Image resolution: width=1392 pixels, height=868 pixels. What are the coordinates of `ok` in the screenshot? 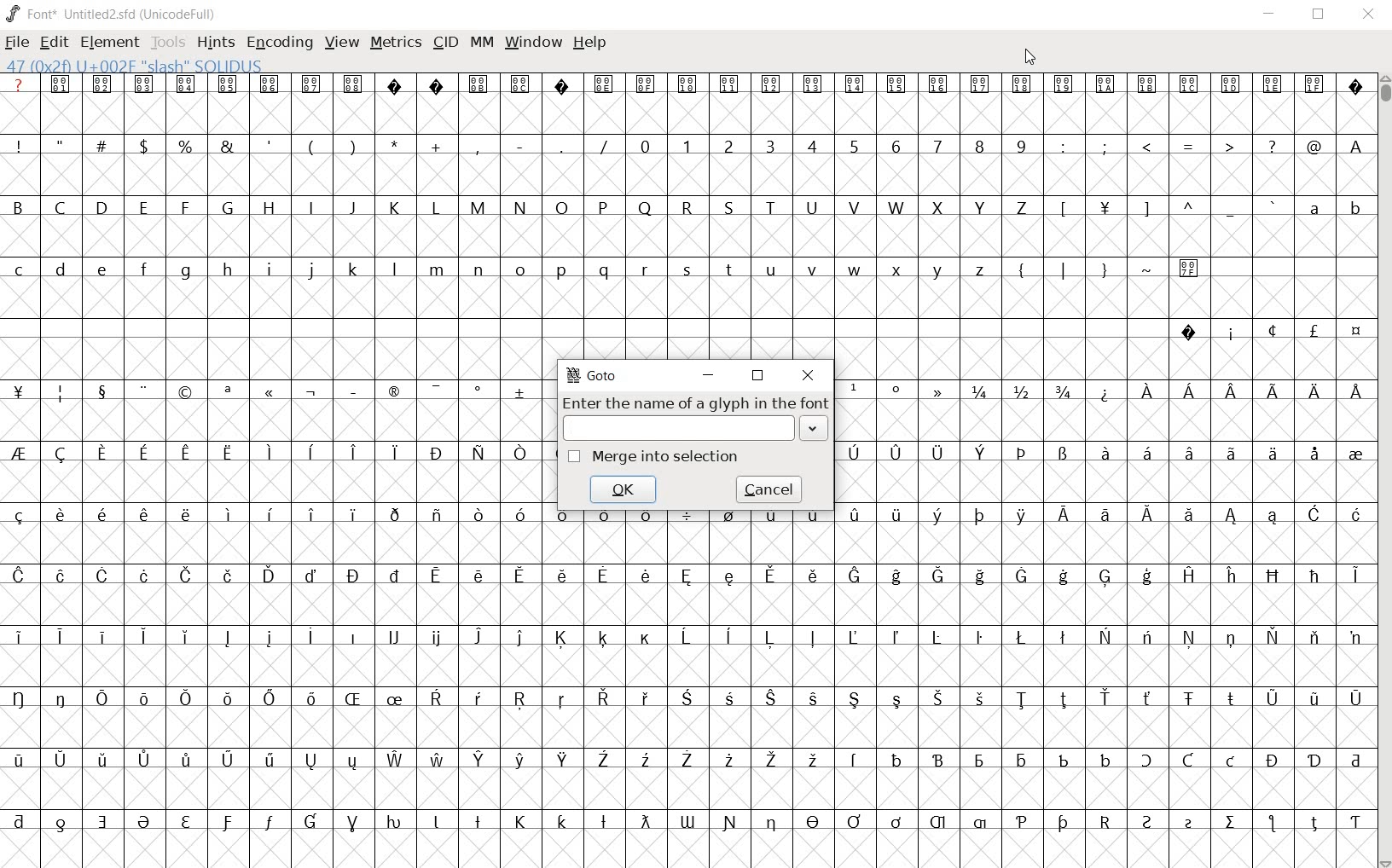 It's located at (623, 489).